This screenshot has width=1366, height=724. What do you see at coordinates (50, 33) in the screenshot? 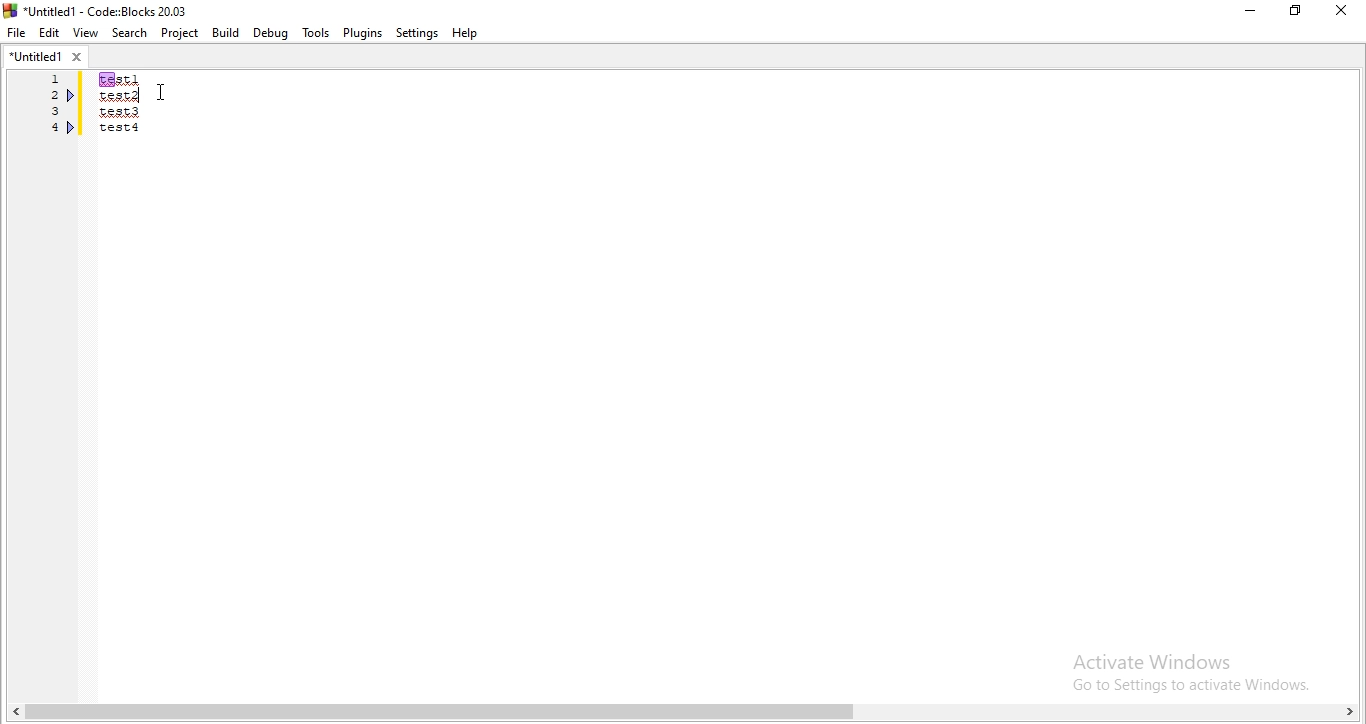
I see `Edit ` at bounding box center [50, 33].